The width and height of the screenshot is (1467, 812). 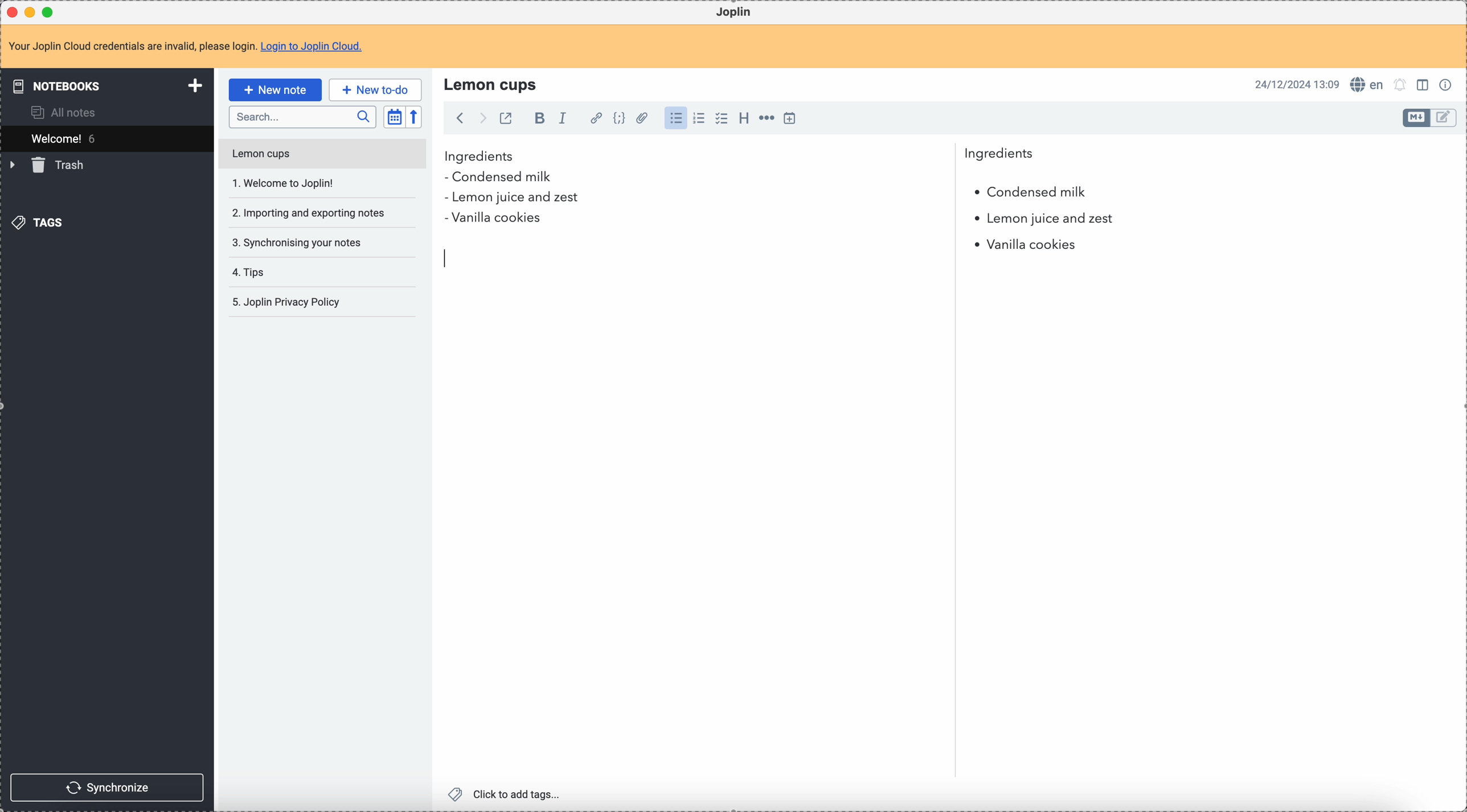 What do you see at coordinates (733, 13) in the screenshot?
I see `Joplin` at bounding box center [733, 13].